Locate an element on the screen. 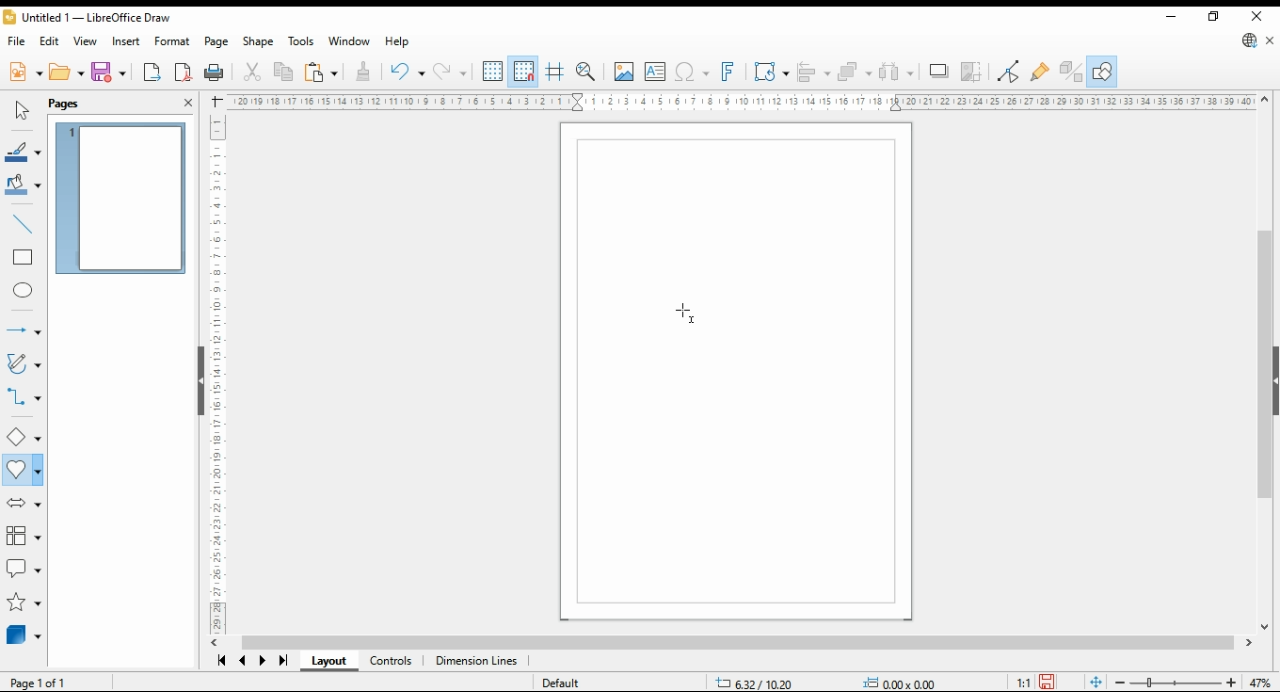  tools is located at coordinates (302, 41).